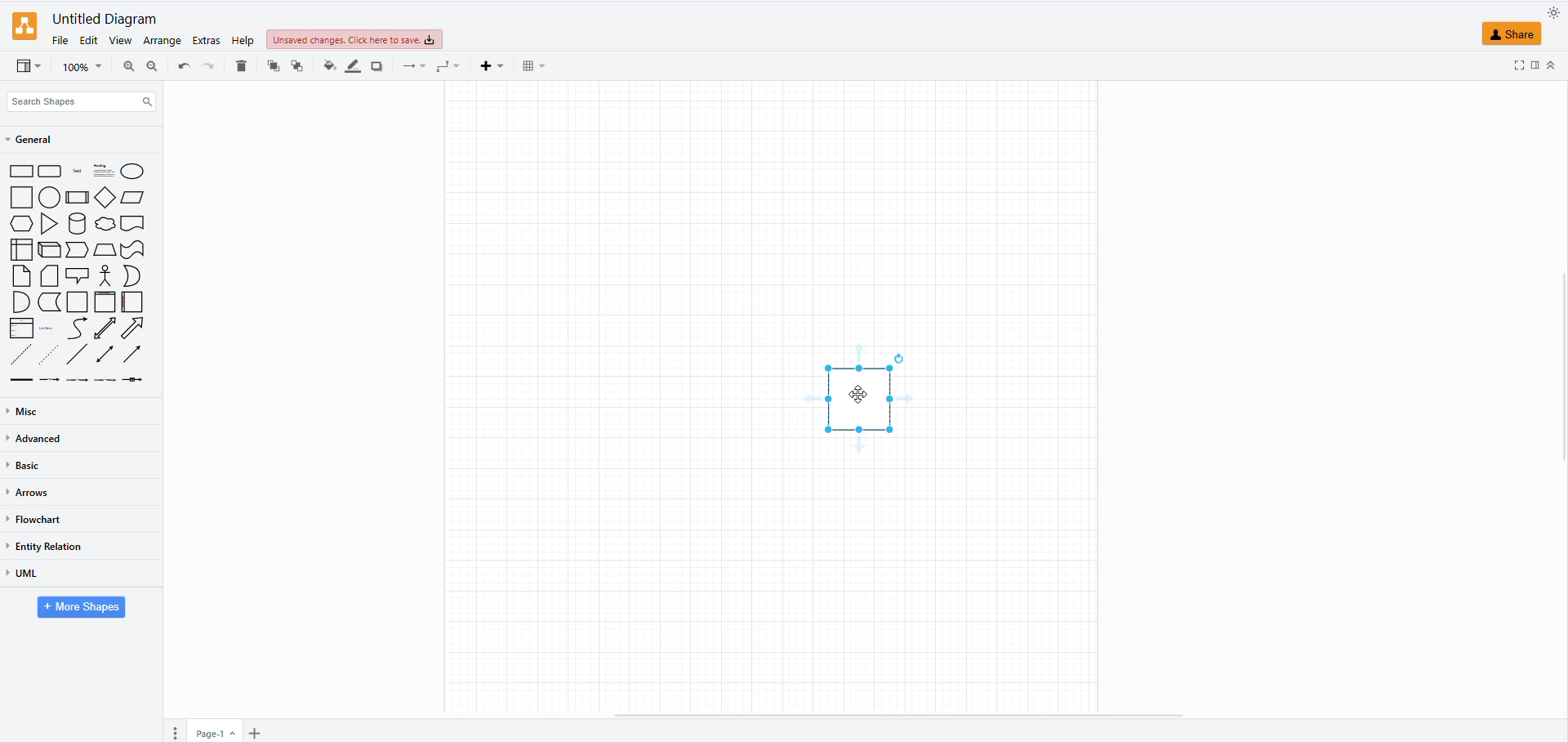  What do you see at coordinates (21, 199) in the screenshot?
I see `square` at bounding box center [21, 199].